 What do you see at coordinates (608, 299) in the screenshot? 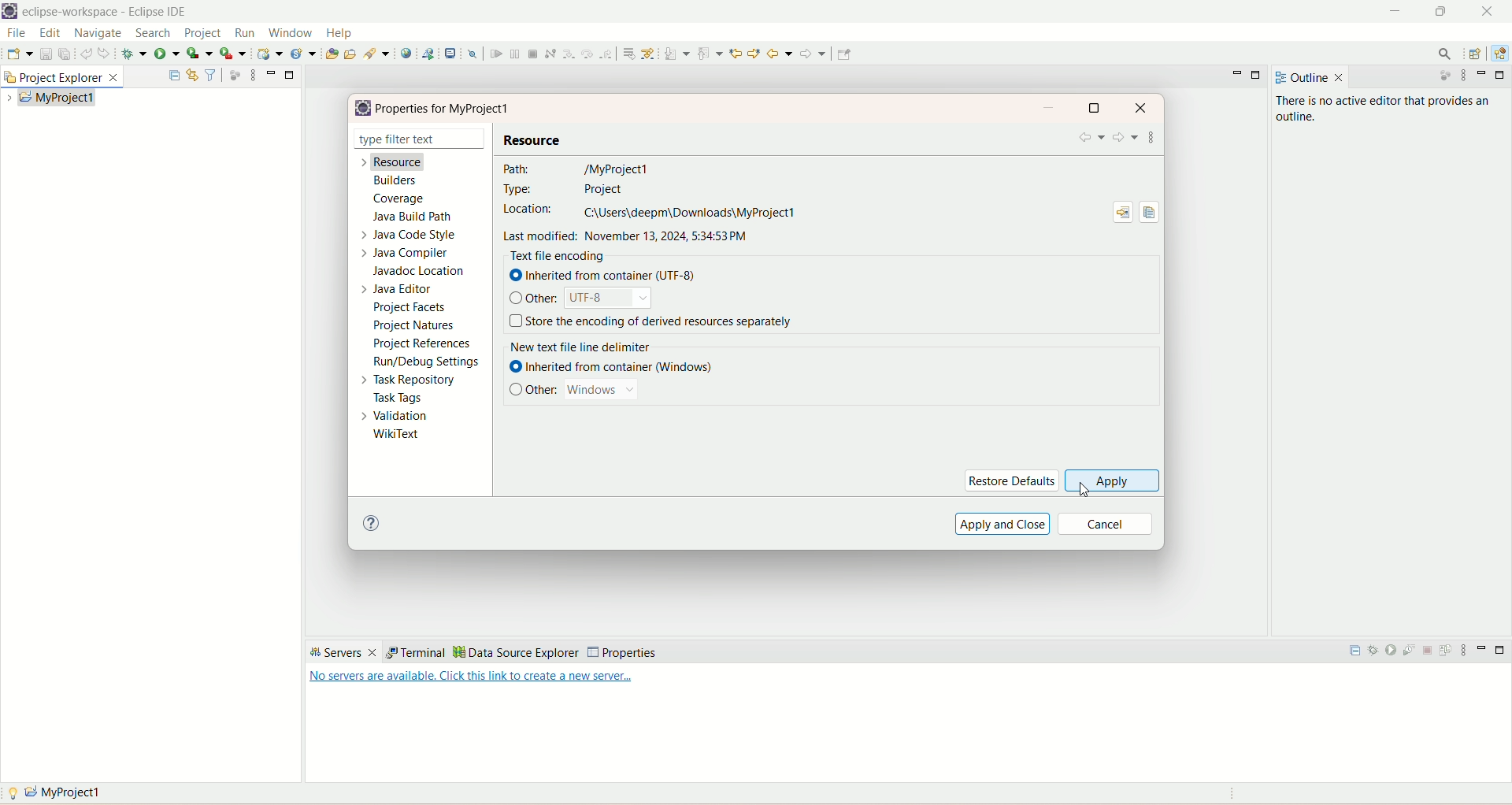
I see `UTF-8` at bounding box center [608, 299].